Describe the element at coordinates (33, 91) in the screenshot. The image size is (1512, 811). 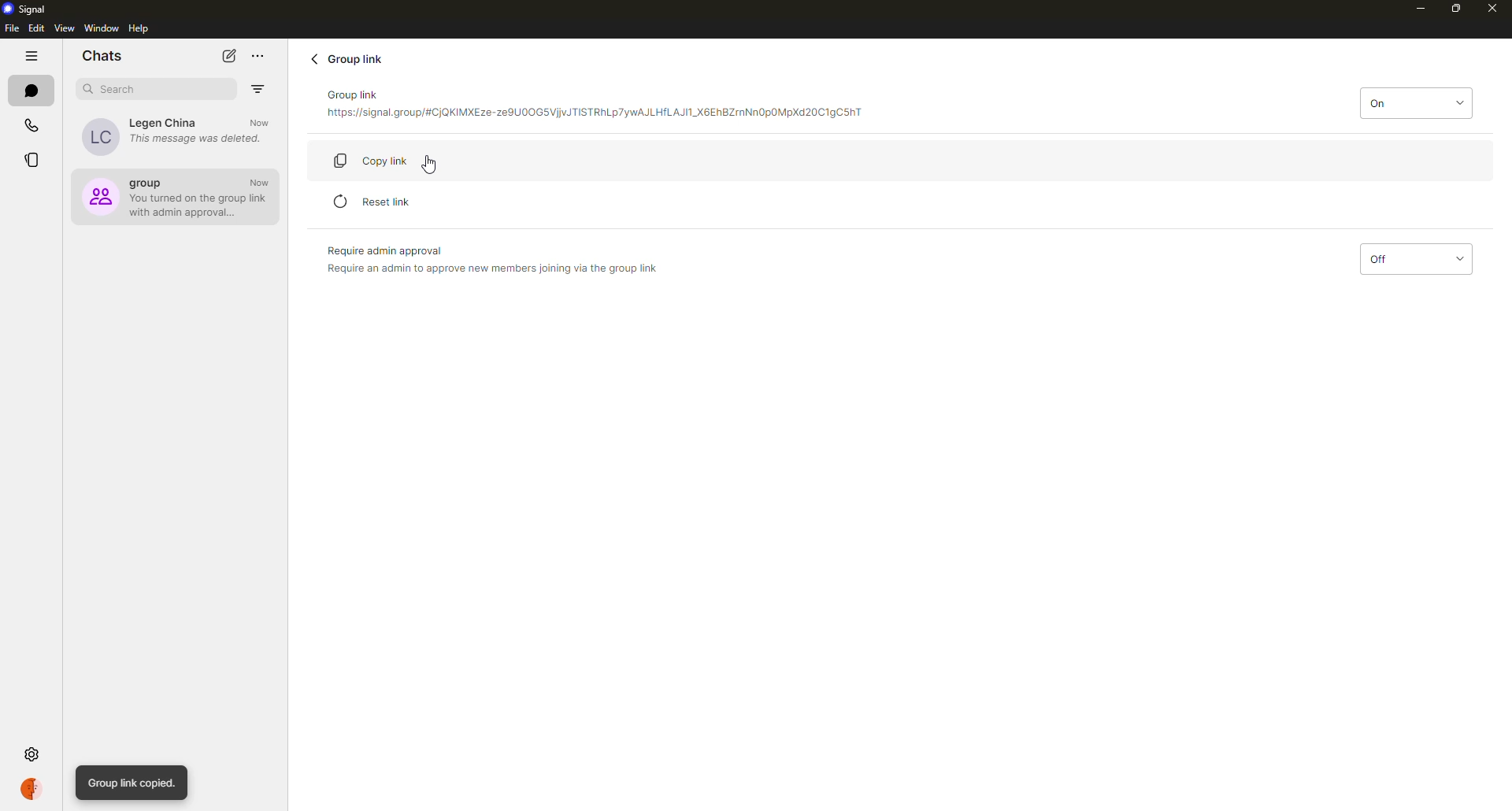
I see `chats` at that location.